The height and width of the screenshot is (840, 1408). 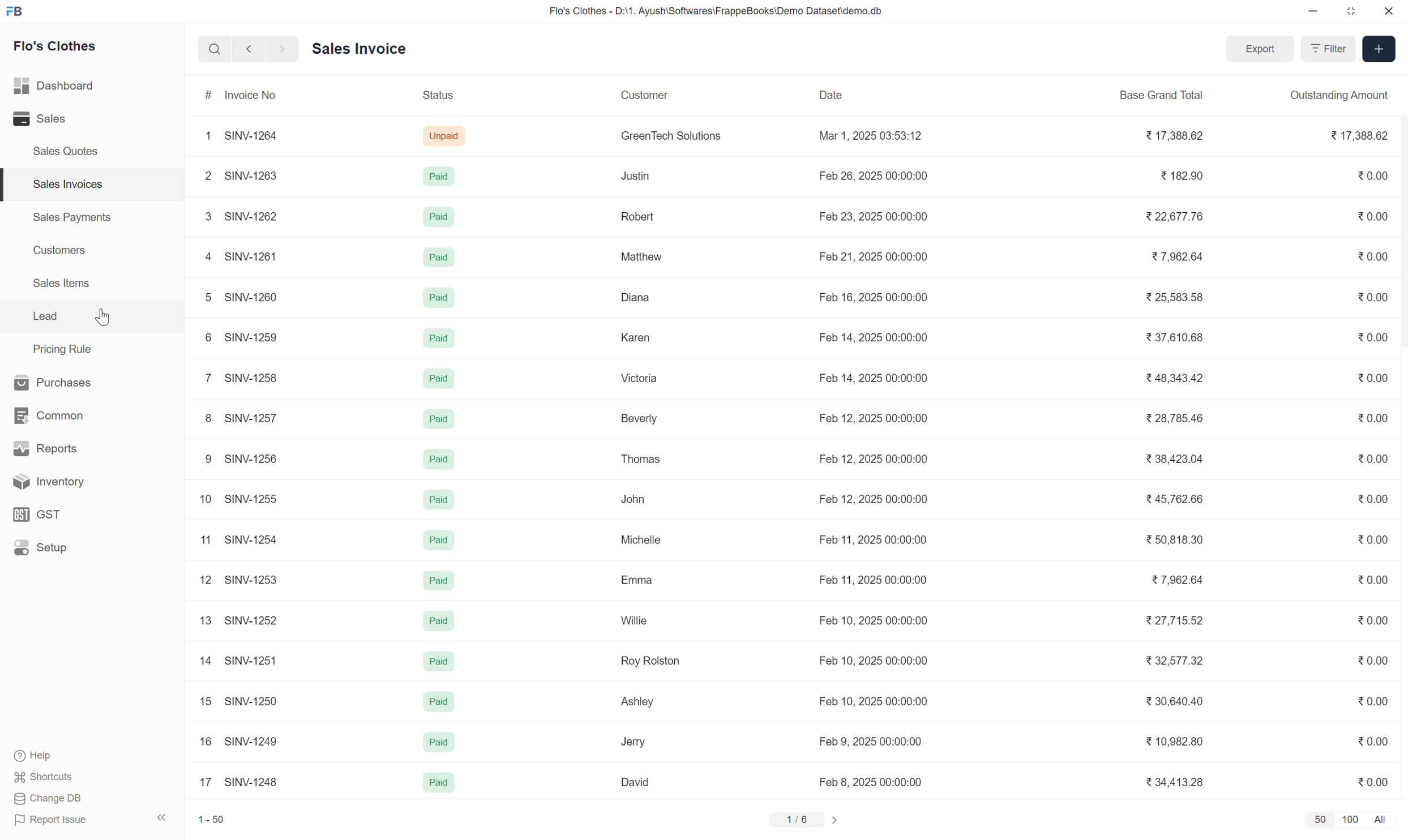 I want to click on Feb 11, 2025 00:00:00, so click(x=861, y=540).